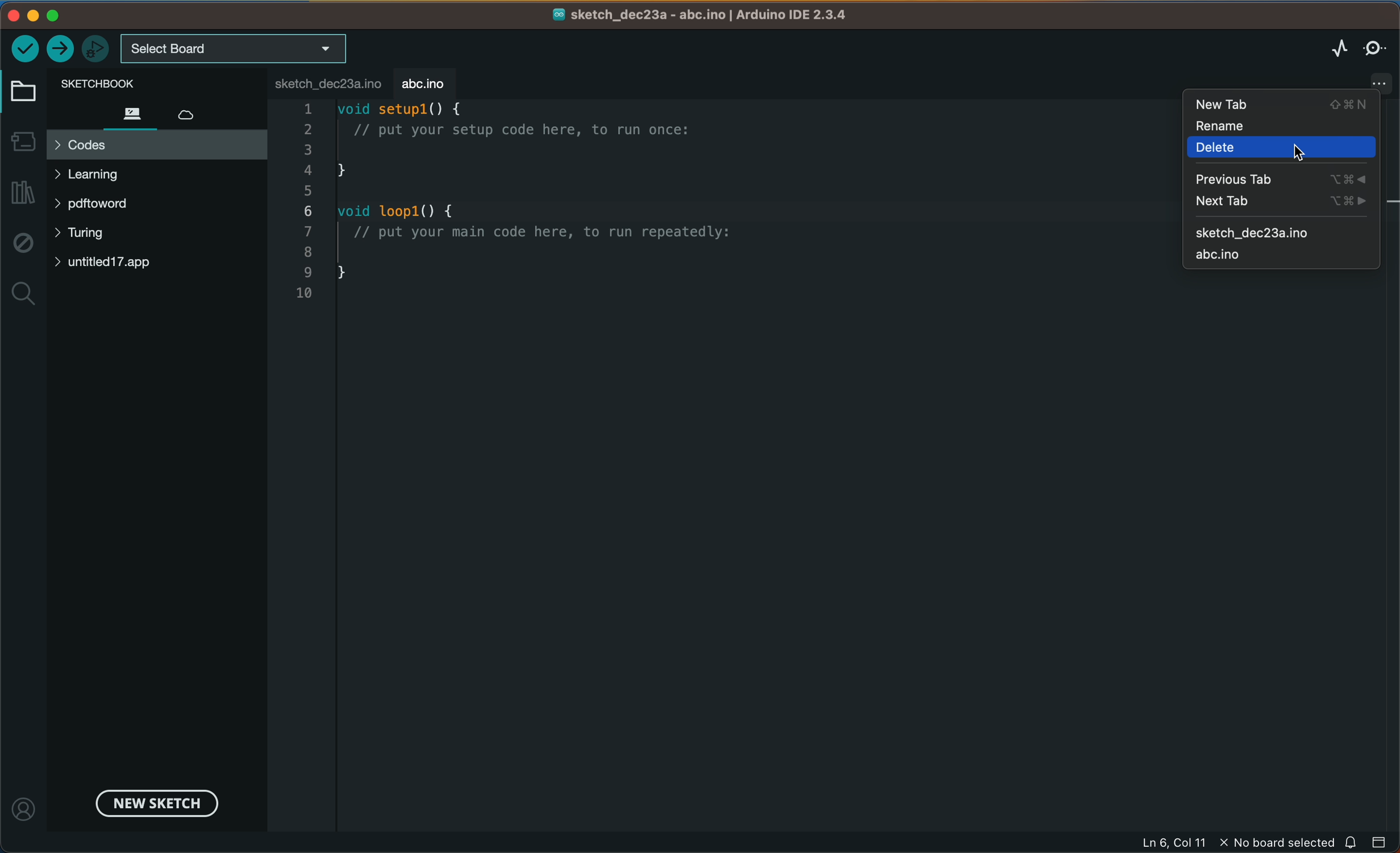 Image resolution: width=1400 pixels, height=853 pixels. What do you see at coordinates (1353, 842) in the screenshot?
I see `notification` at bounding box center [1353, 842].